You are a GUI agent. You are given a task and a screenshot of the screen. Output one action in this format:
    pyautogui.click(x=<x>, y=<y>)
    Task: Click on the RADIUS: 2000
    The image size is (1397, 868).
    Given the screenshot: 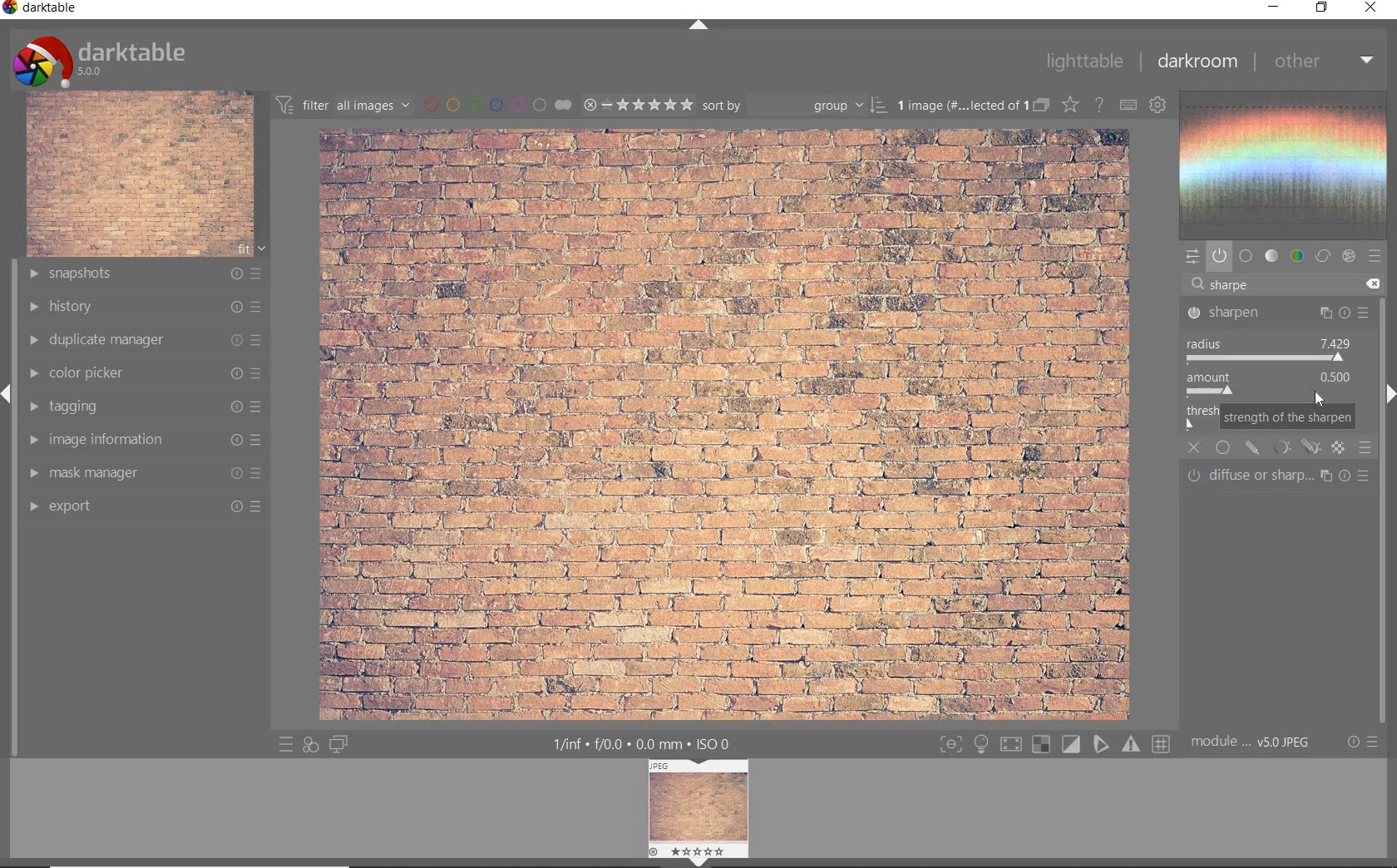 What is the action you would take?
    pyautogui.click(x=1271, y=349)
    